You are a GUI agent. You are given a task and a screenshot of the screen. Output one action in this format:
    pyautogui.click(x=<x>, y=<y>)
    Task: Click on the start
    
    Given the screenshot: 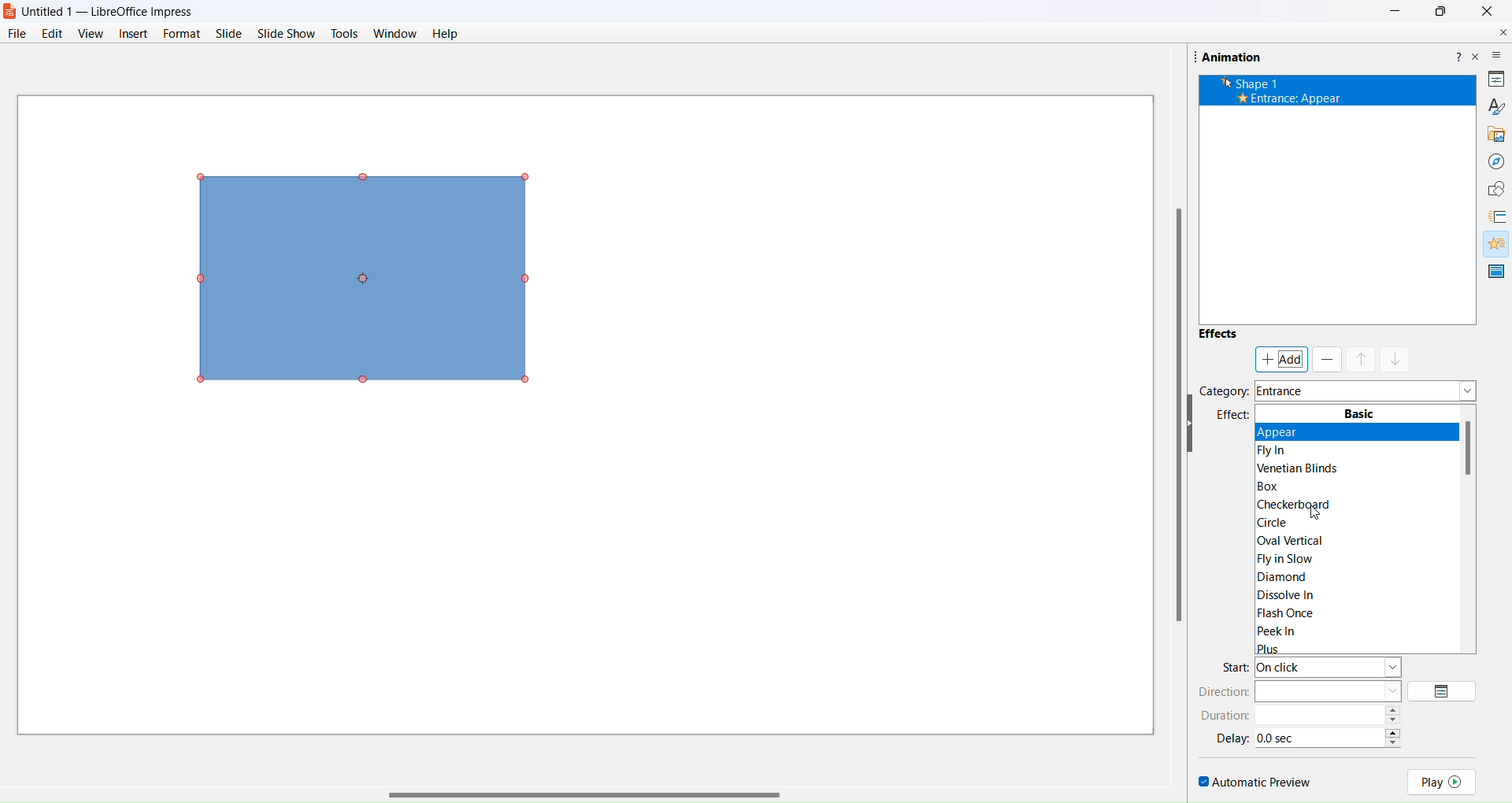 What is the action you would take?
    pyautogui.click(x=1235, y=665)
    